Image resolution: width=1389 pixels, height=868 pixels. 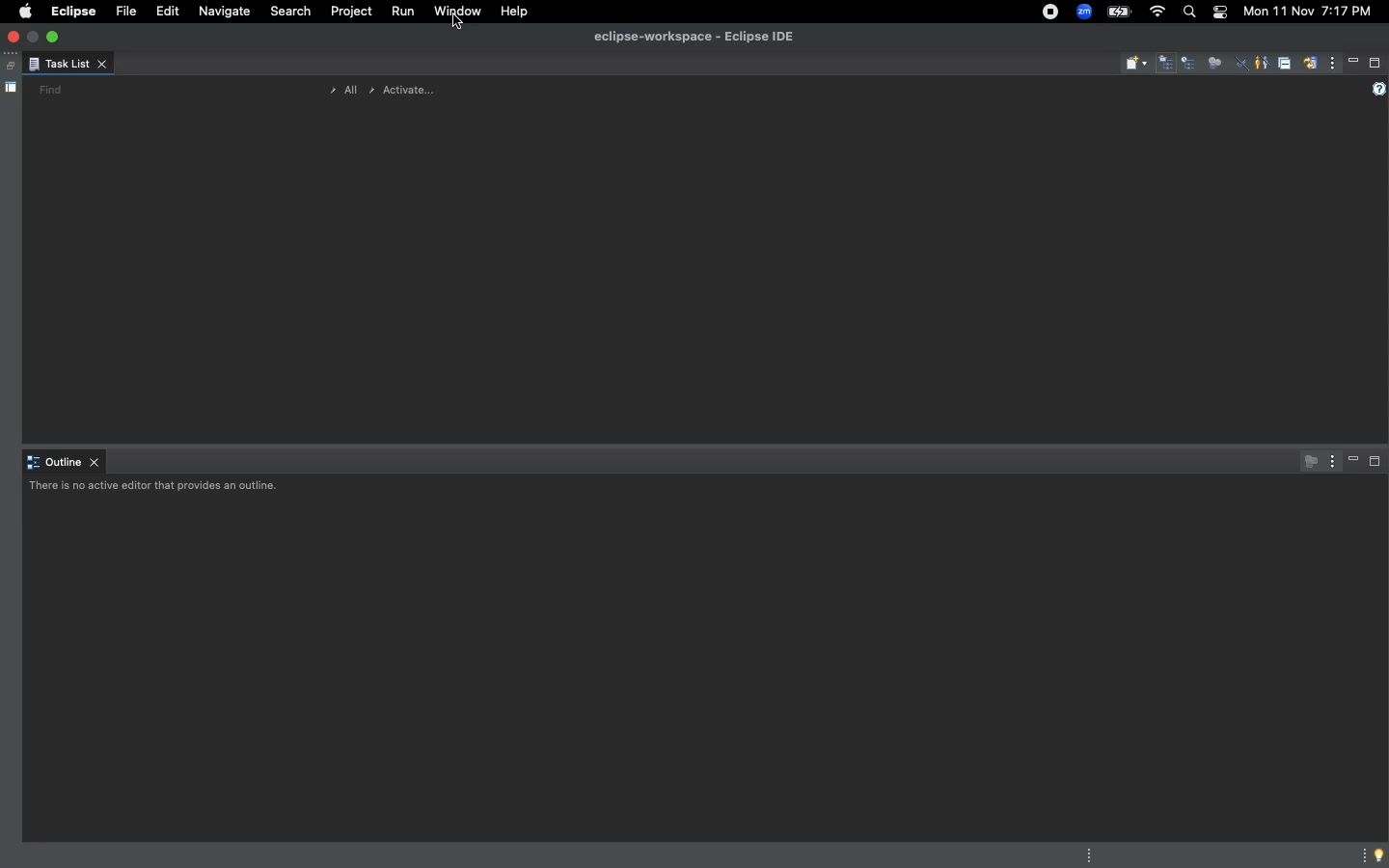 What do you see at coordinates (1306, 12) in the screenshot?
I see `Date/time` at bounding box center [1306, 12].